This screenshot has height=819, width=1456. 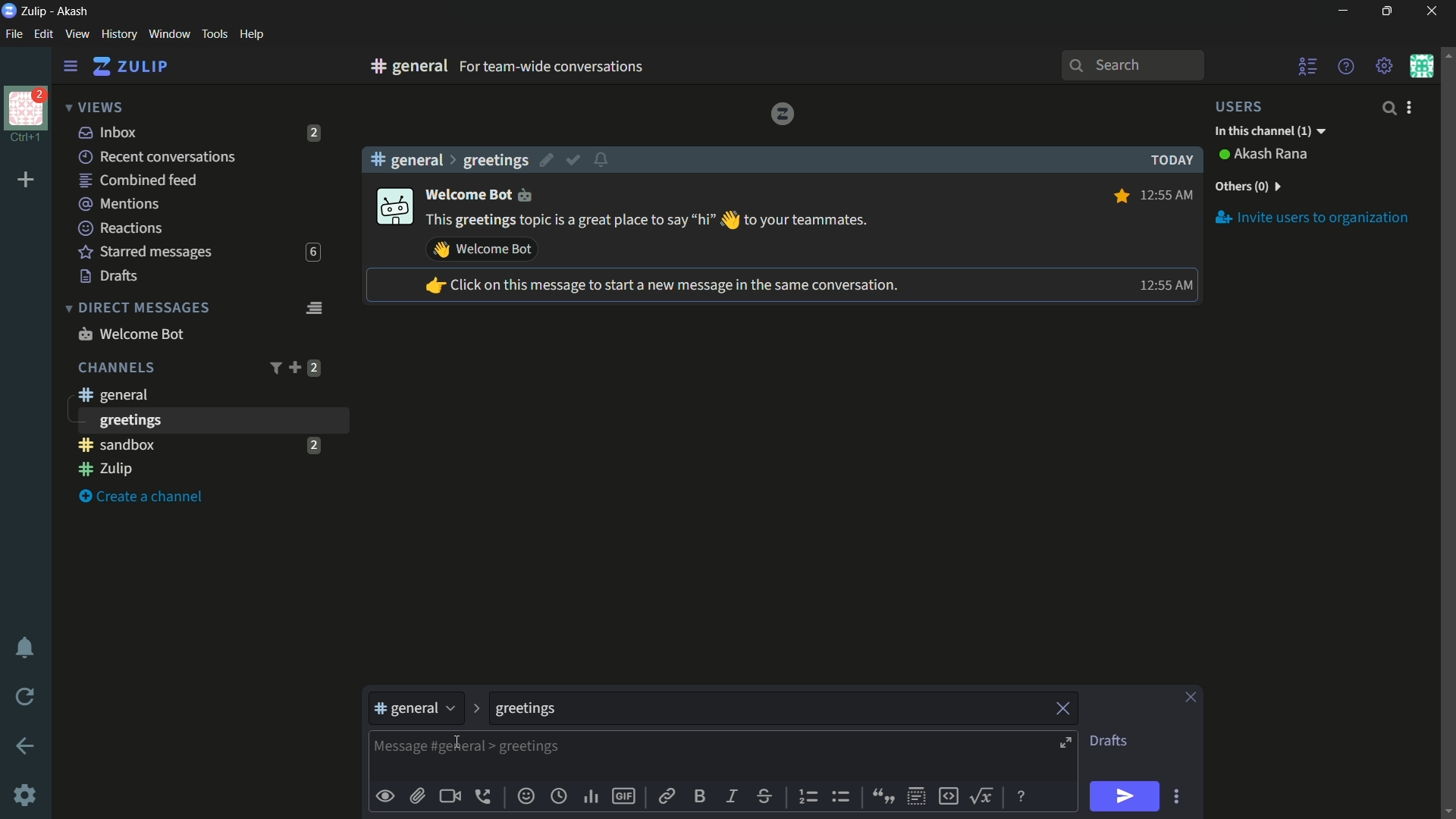 What do you see at coordinates (315, 133) in the screenshot?
I see `2 unread messages` at bounding box center [315, 133].